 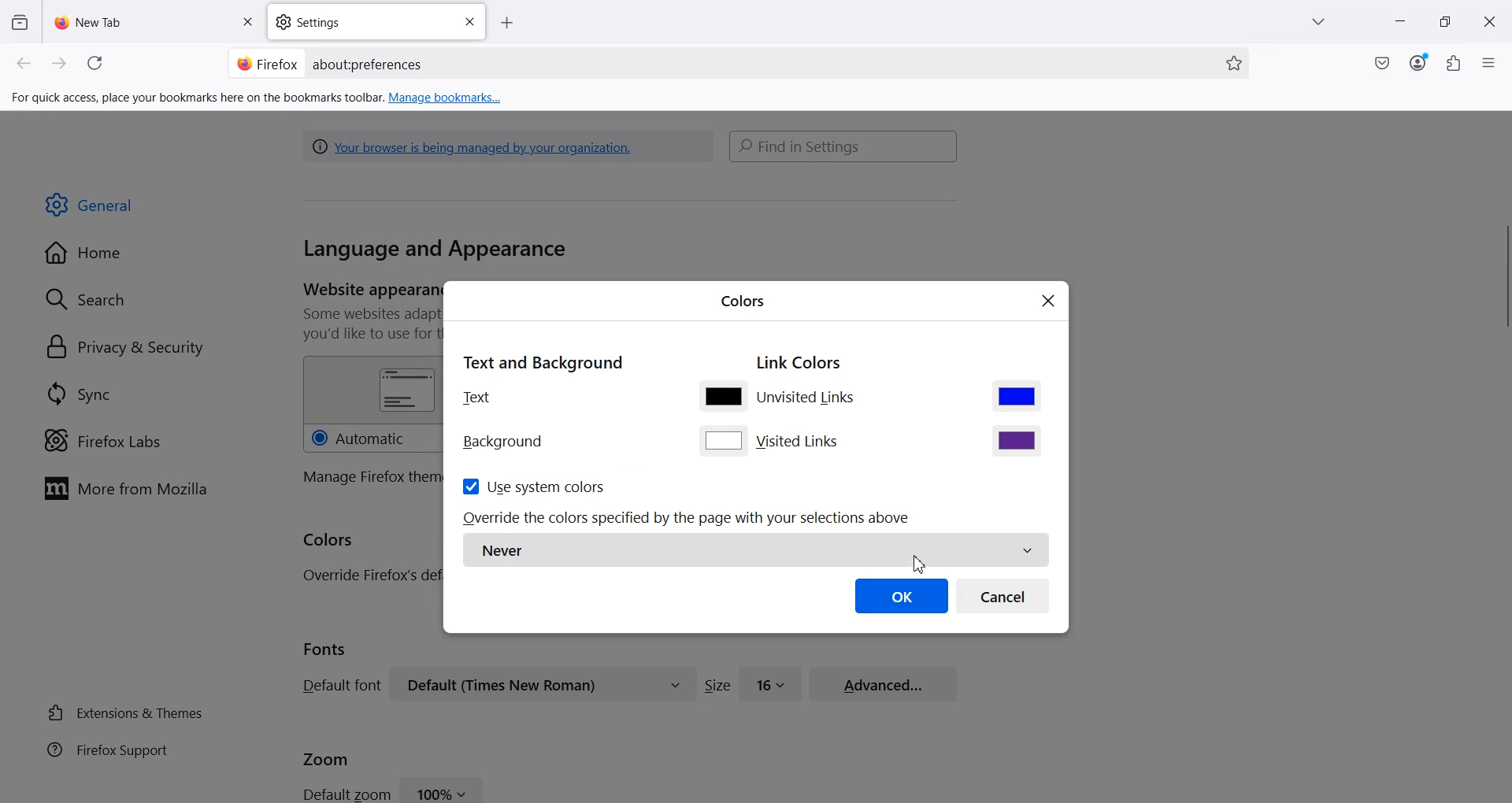 What do you see at coordinates (93, 298) in the screenshot?
I see `Q Search` at bounding box center [93, 298].